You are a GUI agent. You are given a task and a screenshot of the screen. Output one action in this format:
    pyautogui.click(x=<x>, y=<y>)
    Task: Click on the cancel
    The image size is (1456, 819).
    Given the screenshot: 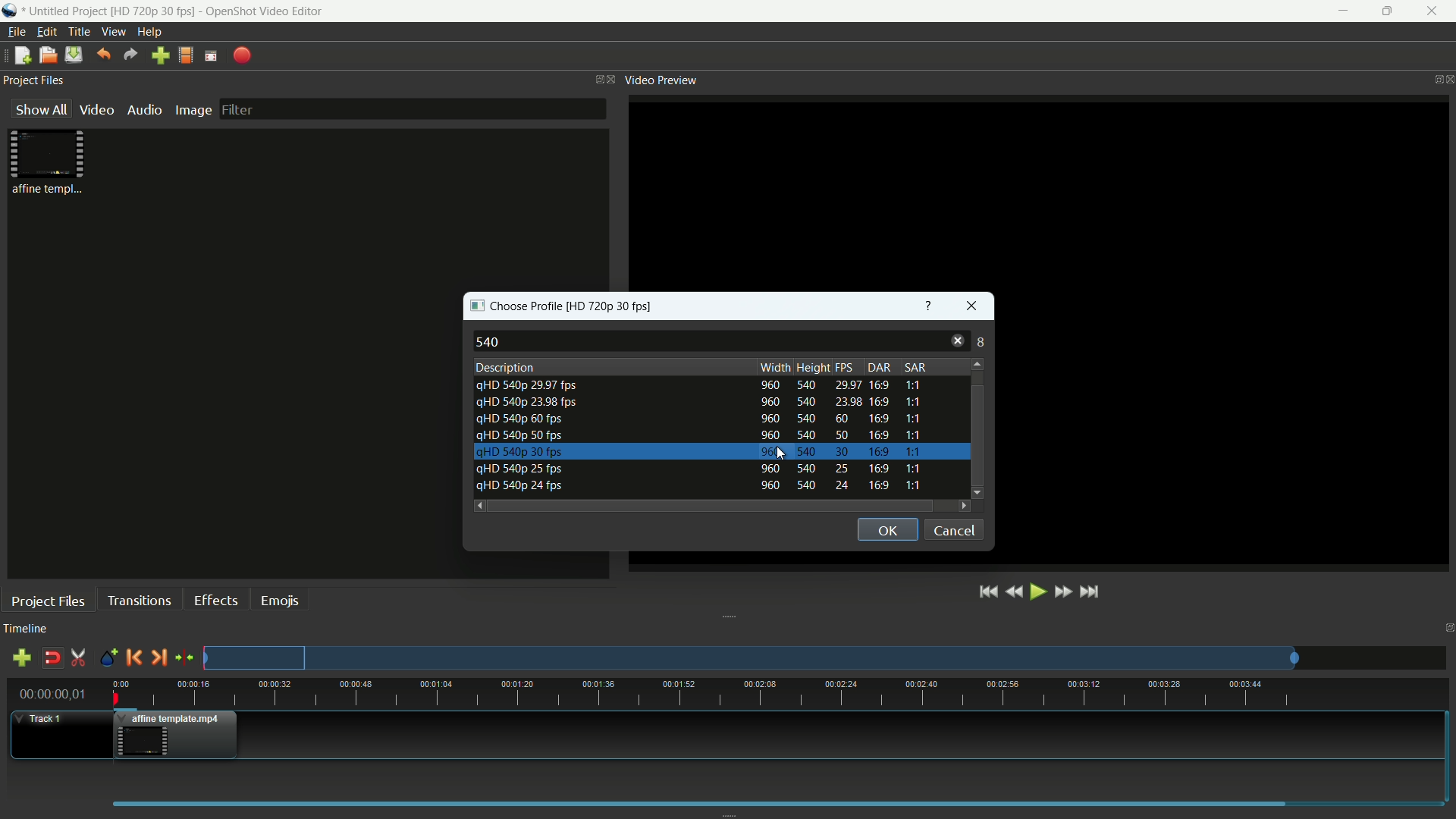 What is the action you would take?
    pyautogui.click(x=955, y=529)
    